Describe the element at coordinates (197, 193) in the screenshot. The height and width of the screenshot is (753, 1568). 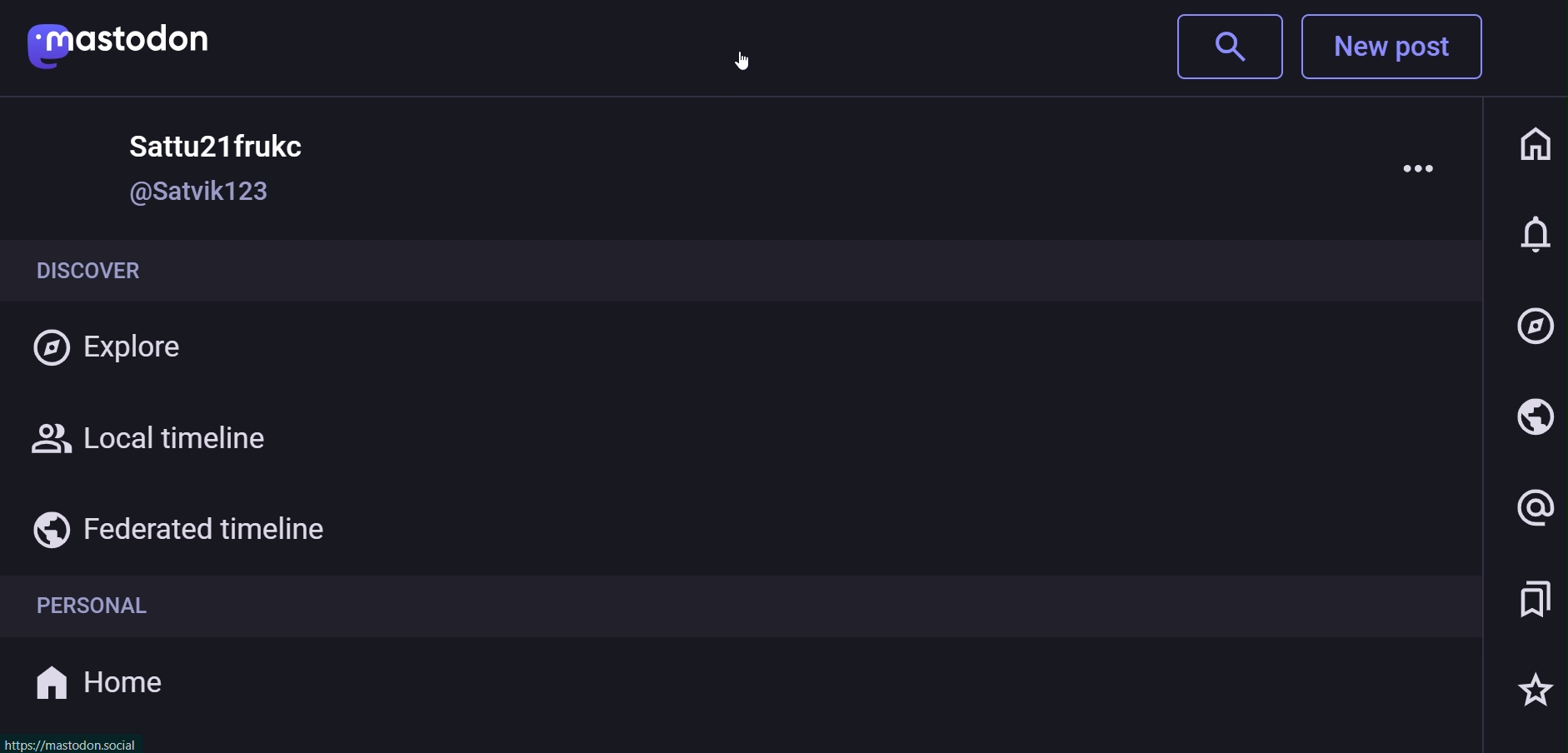
I see `@Satvik123` at that location.